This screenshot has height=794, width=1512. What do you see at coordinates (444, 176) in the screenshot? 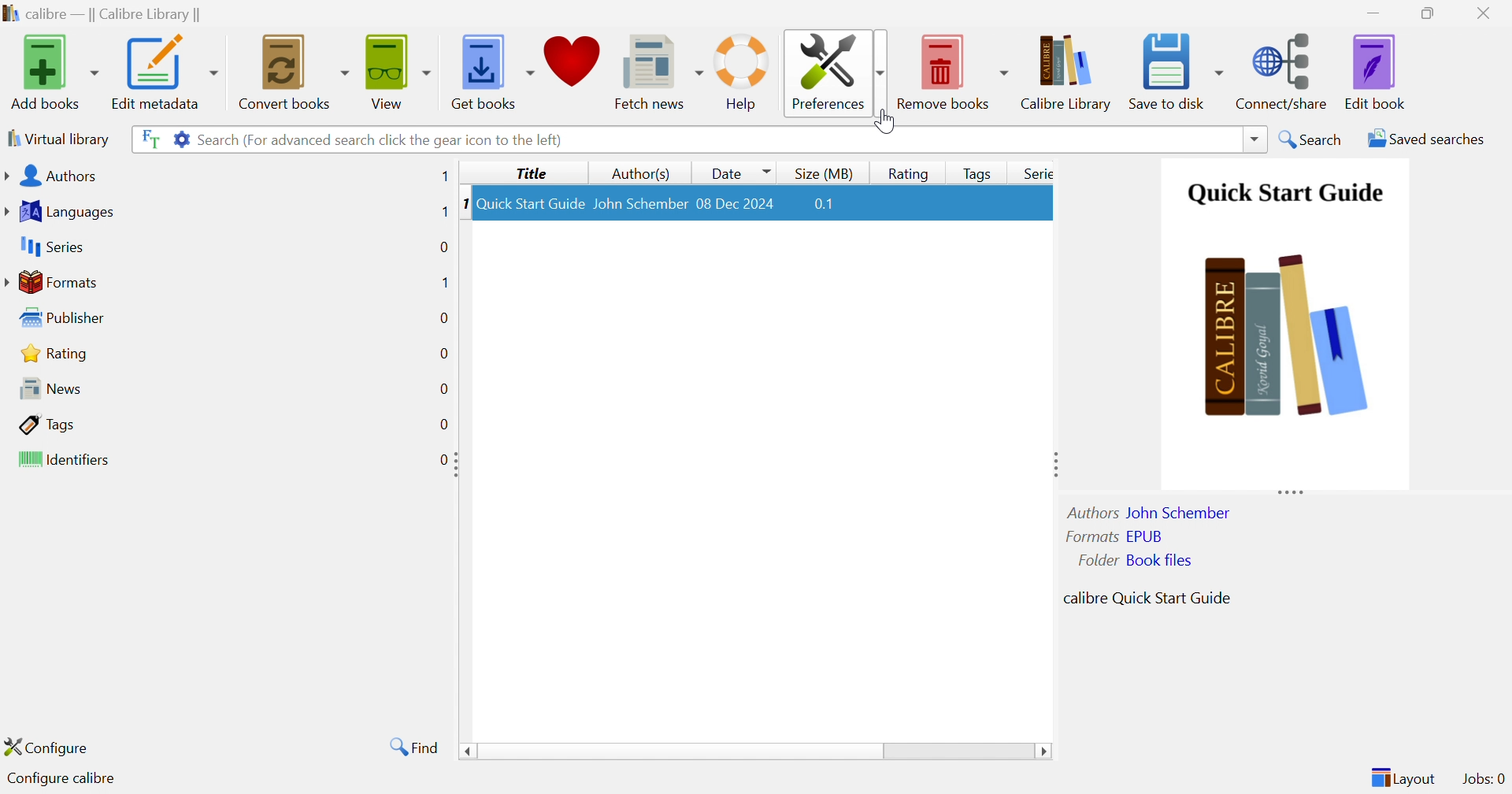
I see `1` at bounding box center [444, 176].